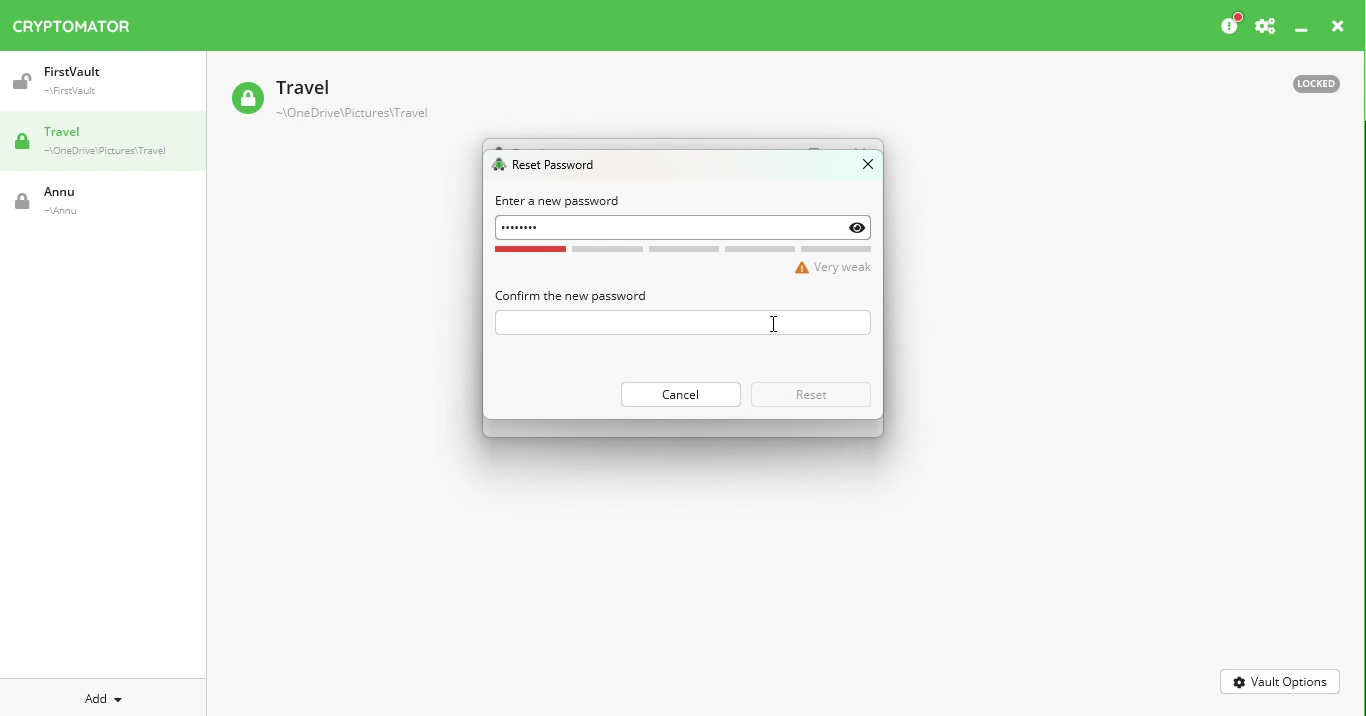 The height and width of the screenshot is (716, 1366). Describe the element at coordinates (685, 261) in the screenshot. I see `Password strength` at that location.